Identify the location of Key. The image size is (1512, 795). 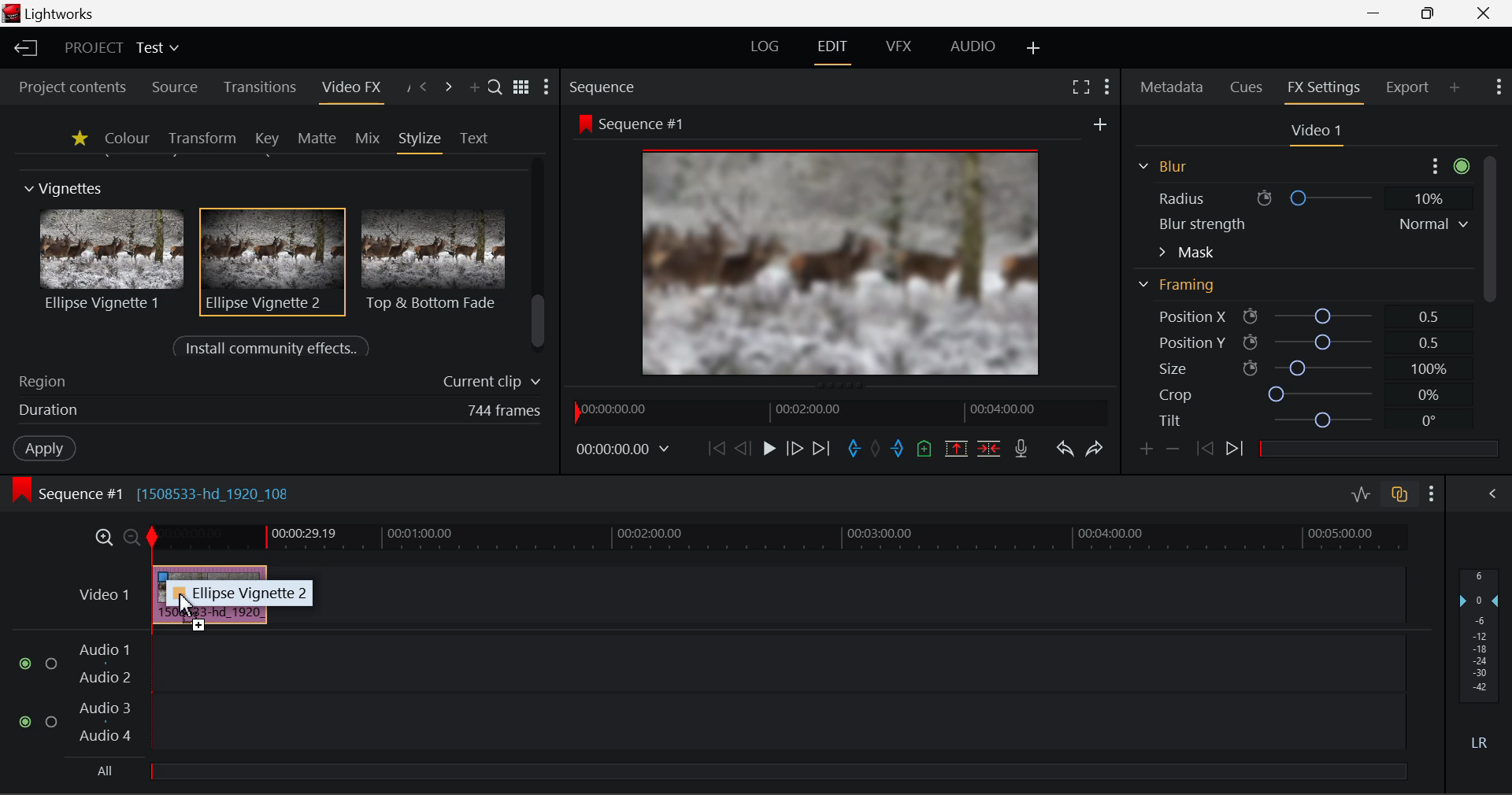
(266, 139).